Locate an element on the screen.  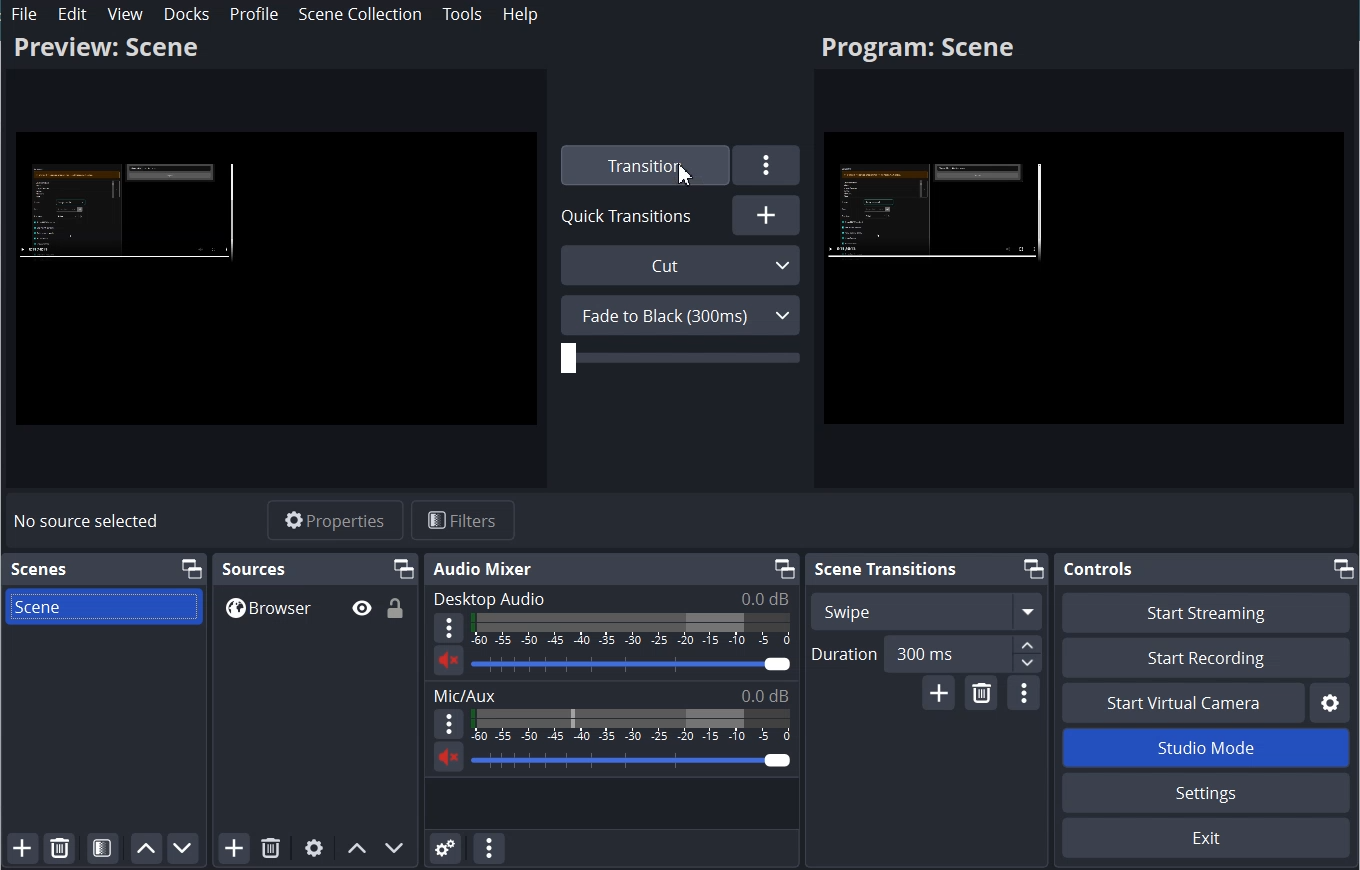
Remove selected Source is located at coordinates (271, 848).